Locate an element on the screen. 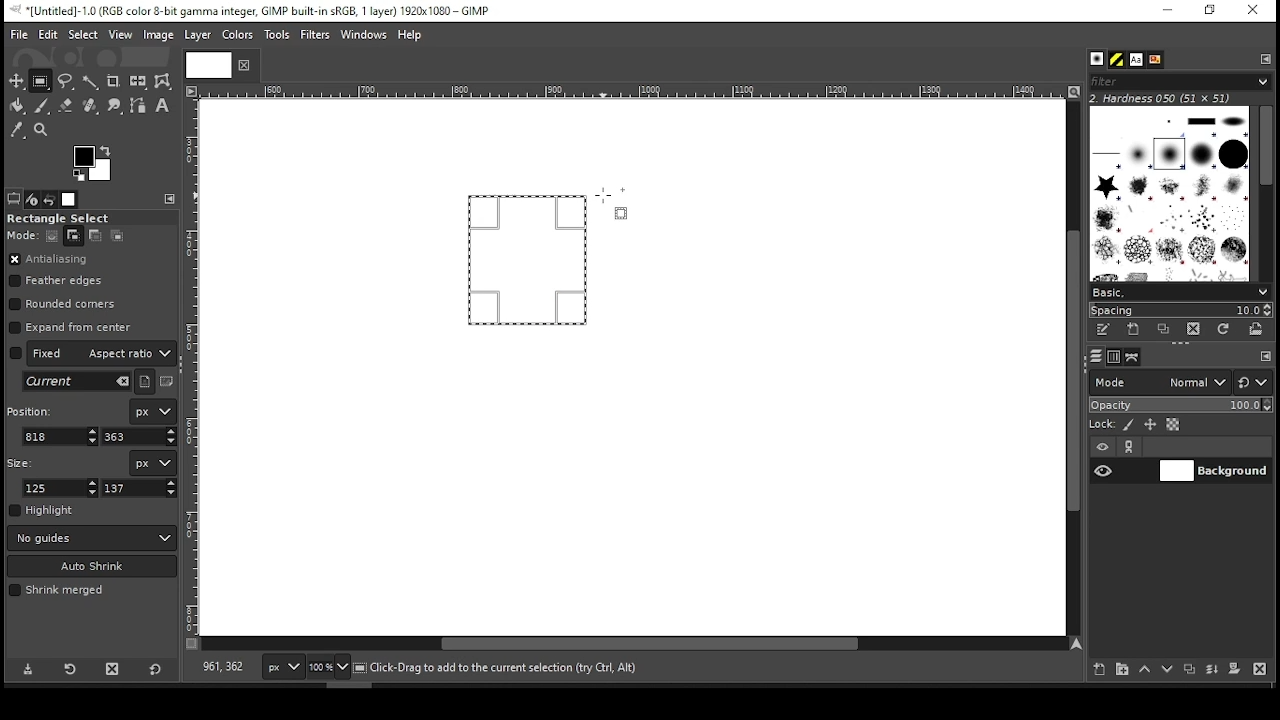 The image size is (1280, 720). subtract from the current selection is located at coordinates (94, 236).